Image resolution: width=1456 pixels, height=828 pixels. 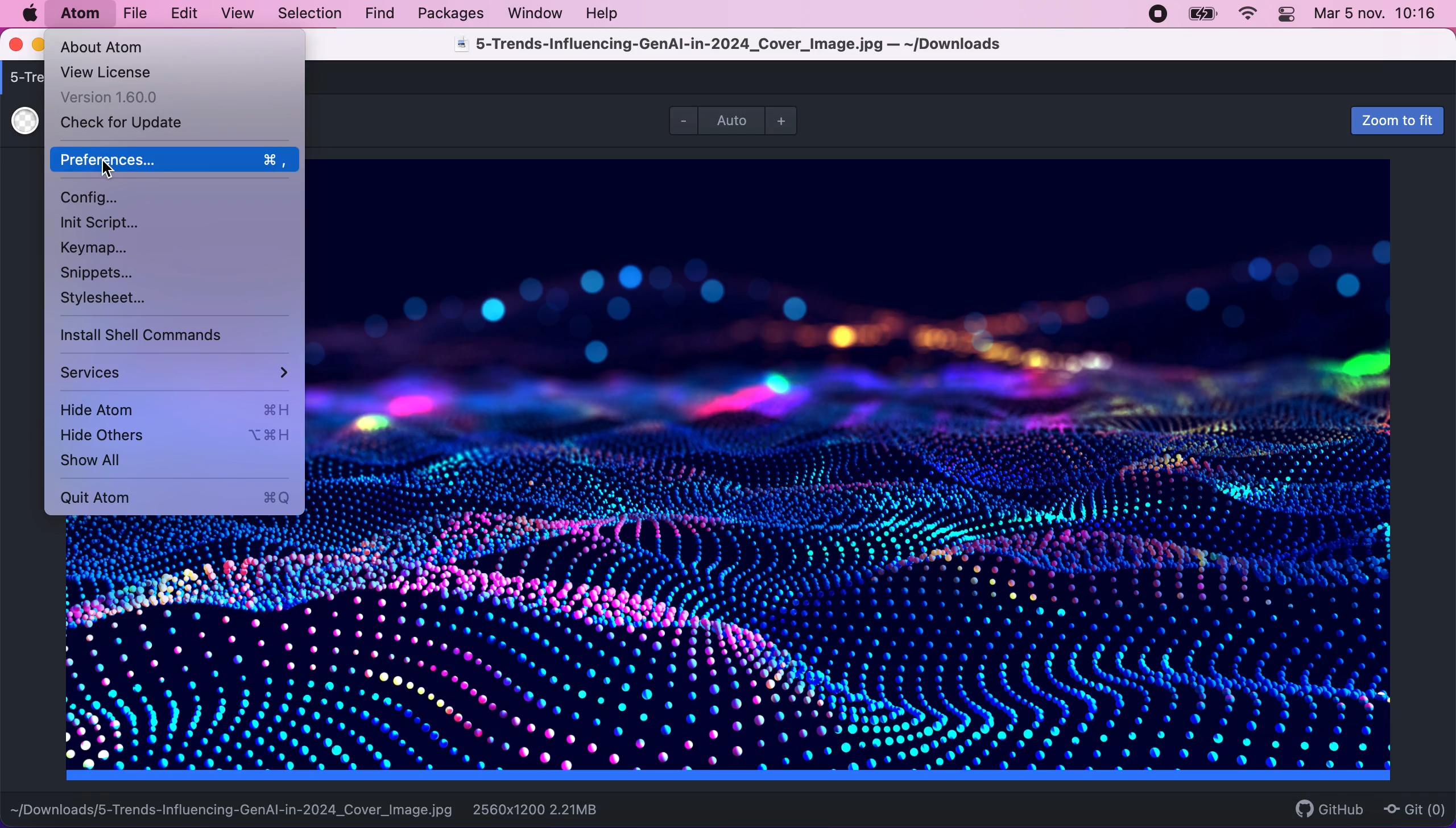 What do you see at coordinates (106, 300) in the screenshot?
I see `stylesheet` at bounding box center [106, 300].